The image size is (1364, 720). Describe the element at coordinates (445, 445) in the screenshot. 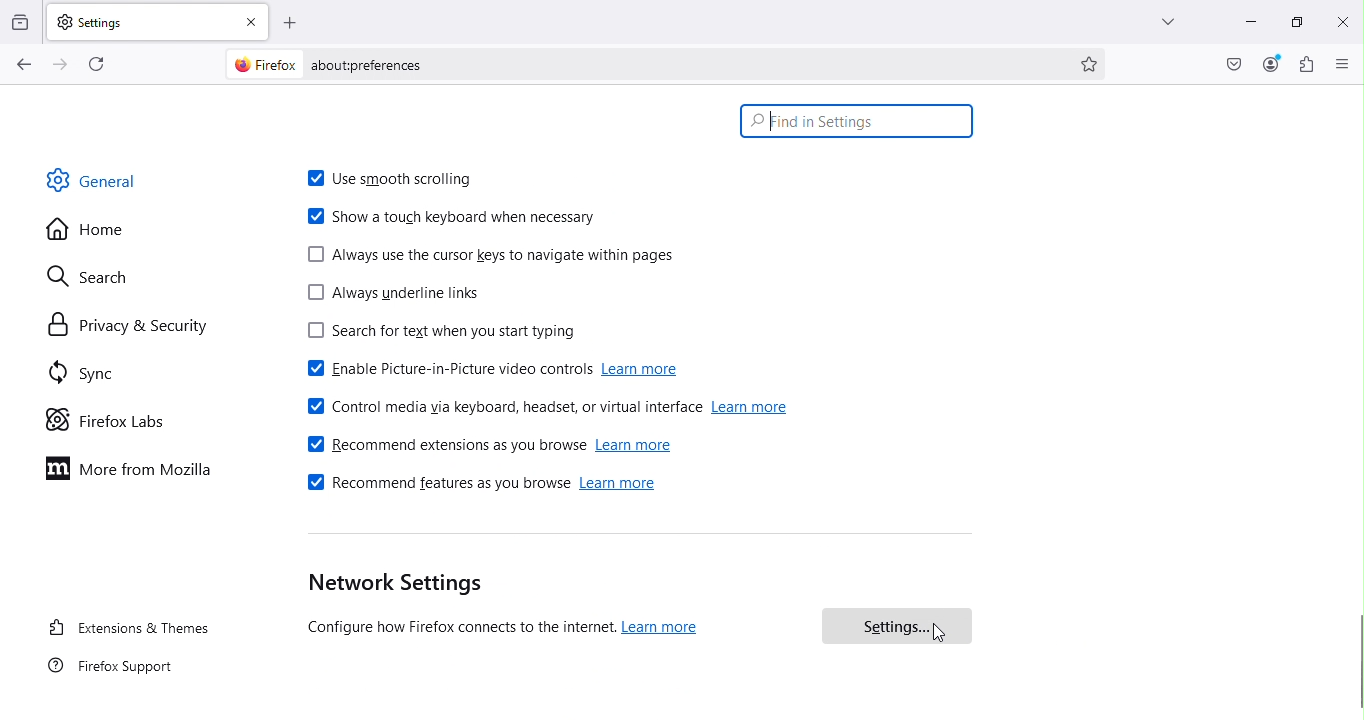

I see `Recommend extensions as you browse` at that location.